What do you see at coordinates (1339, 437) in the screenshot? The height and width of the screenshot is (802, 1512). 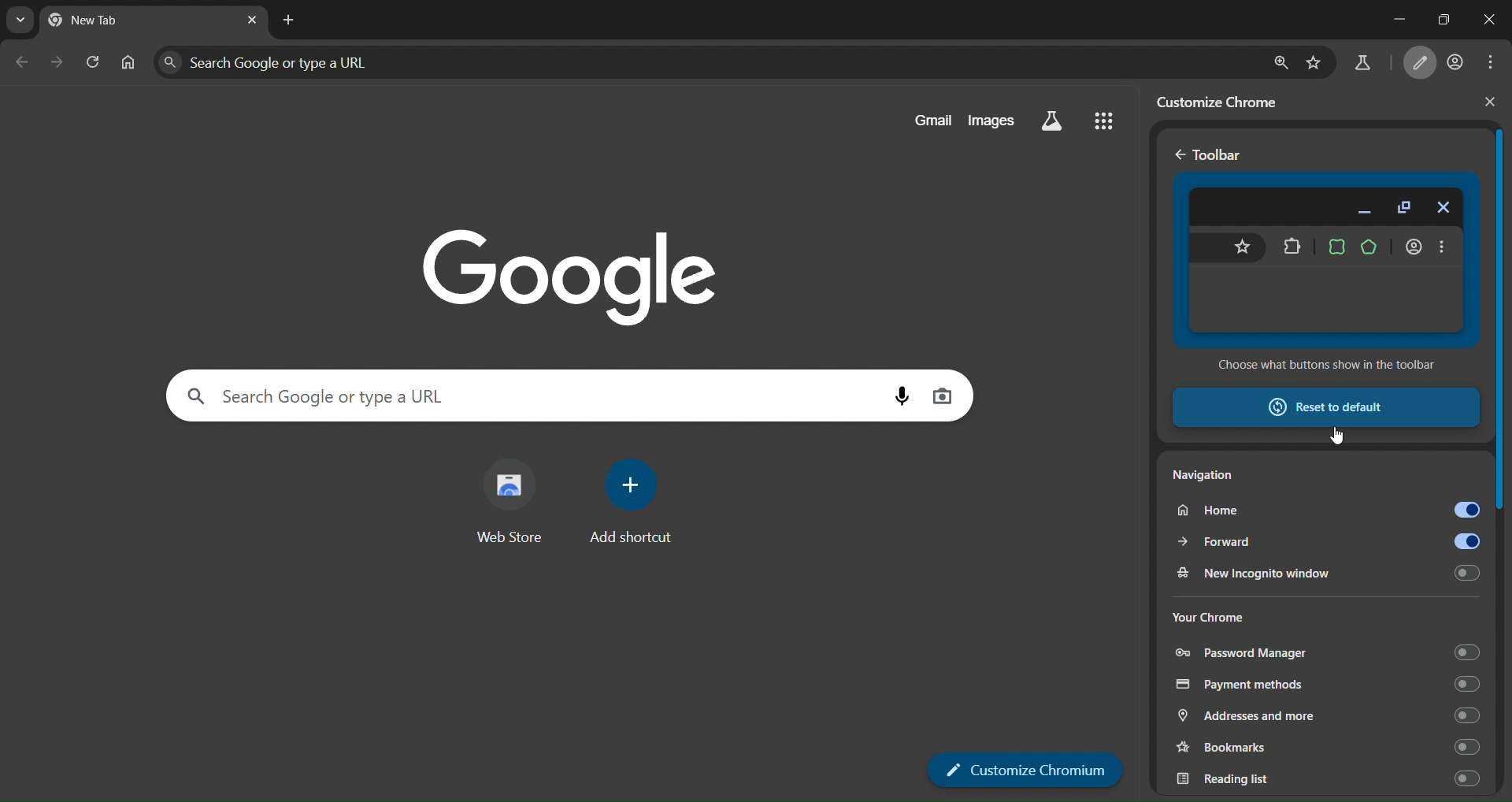 I see `cursor` at bounding box center [1339, 437].